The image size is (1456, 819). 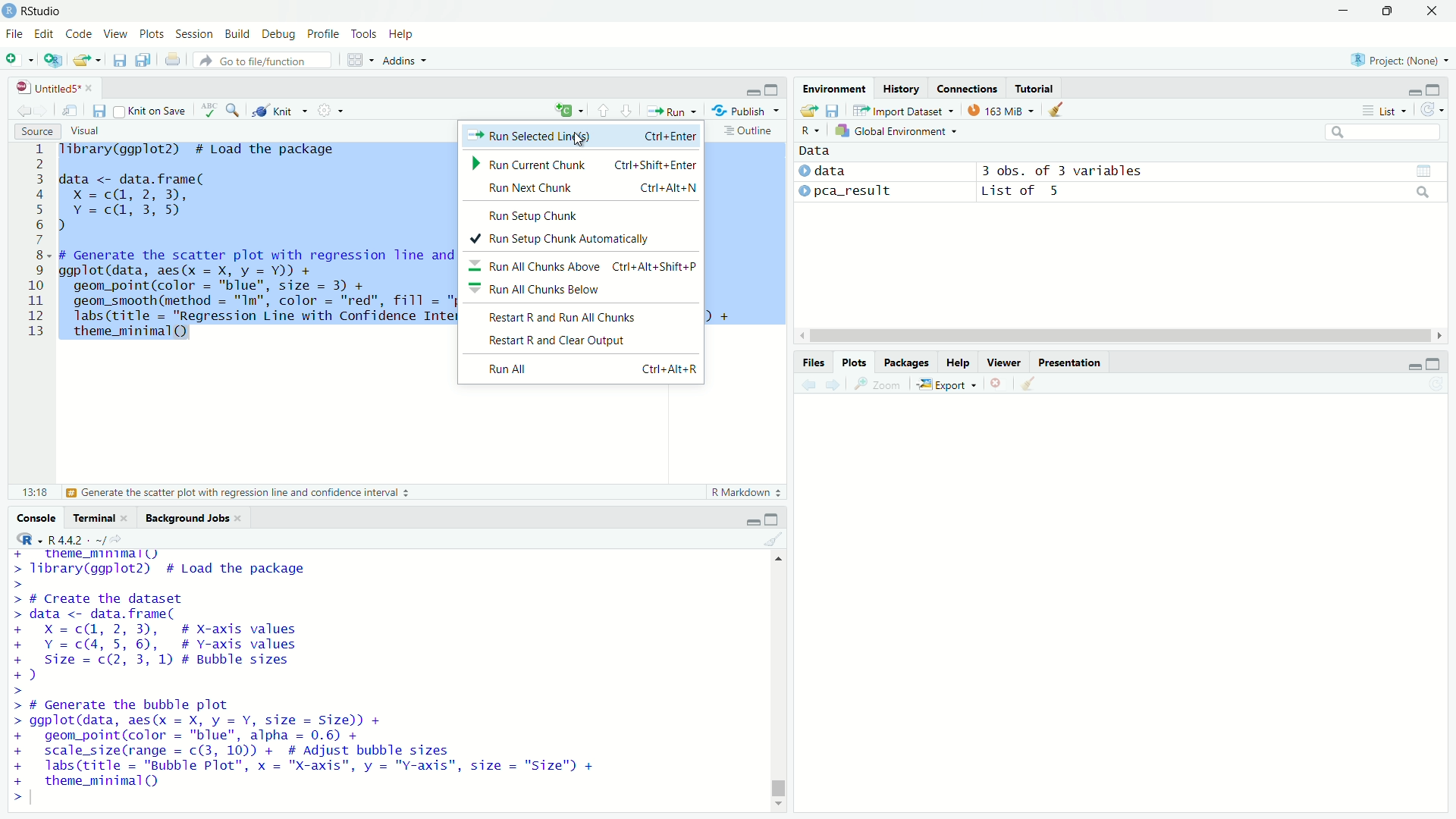 I want to click on Save all open documents, so click(x=144, y=59).